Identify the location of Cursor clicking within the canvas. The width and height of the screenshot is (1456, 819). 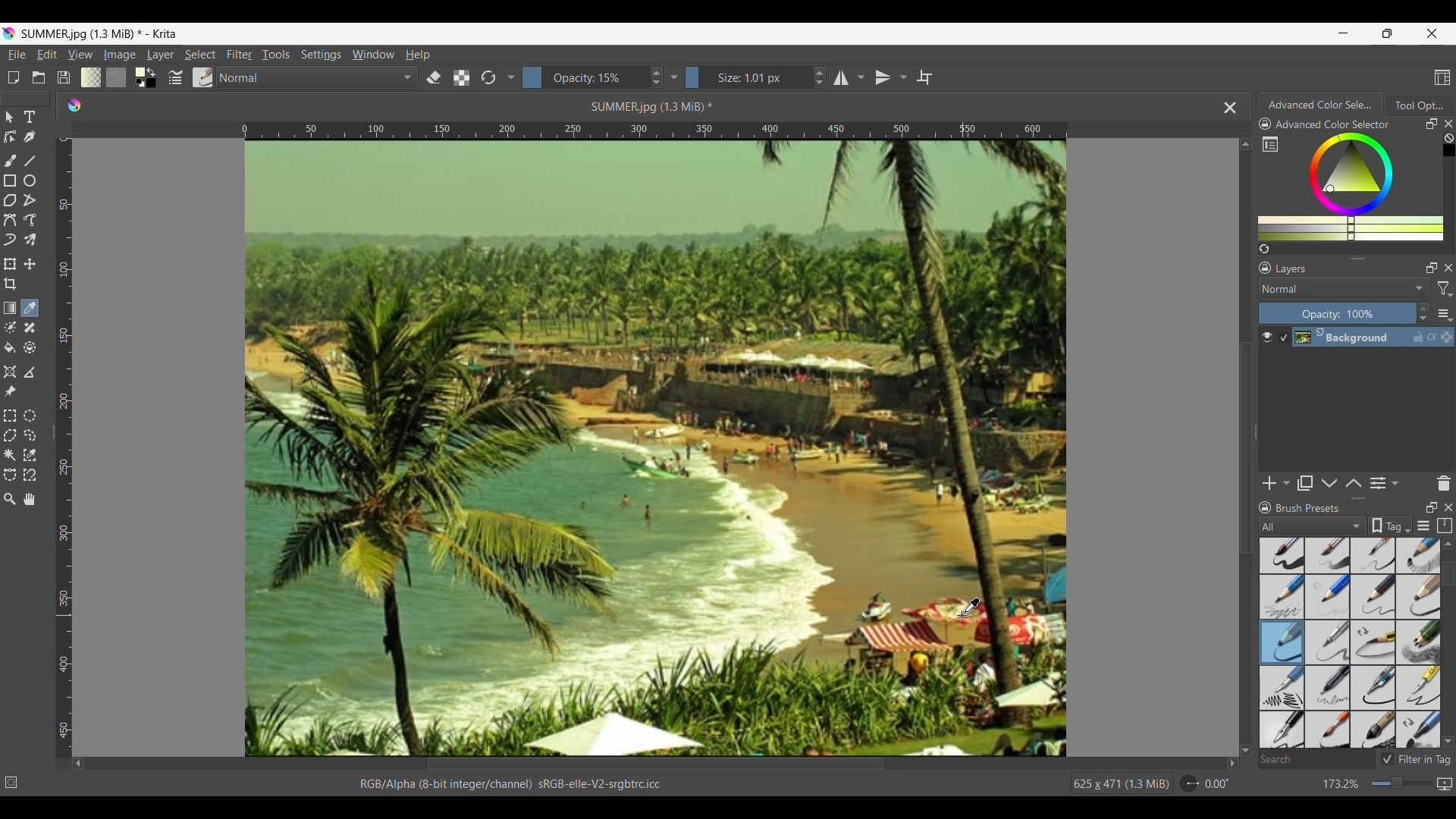
(969, 609).